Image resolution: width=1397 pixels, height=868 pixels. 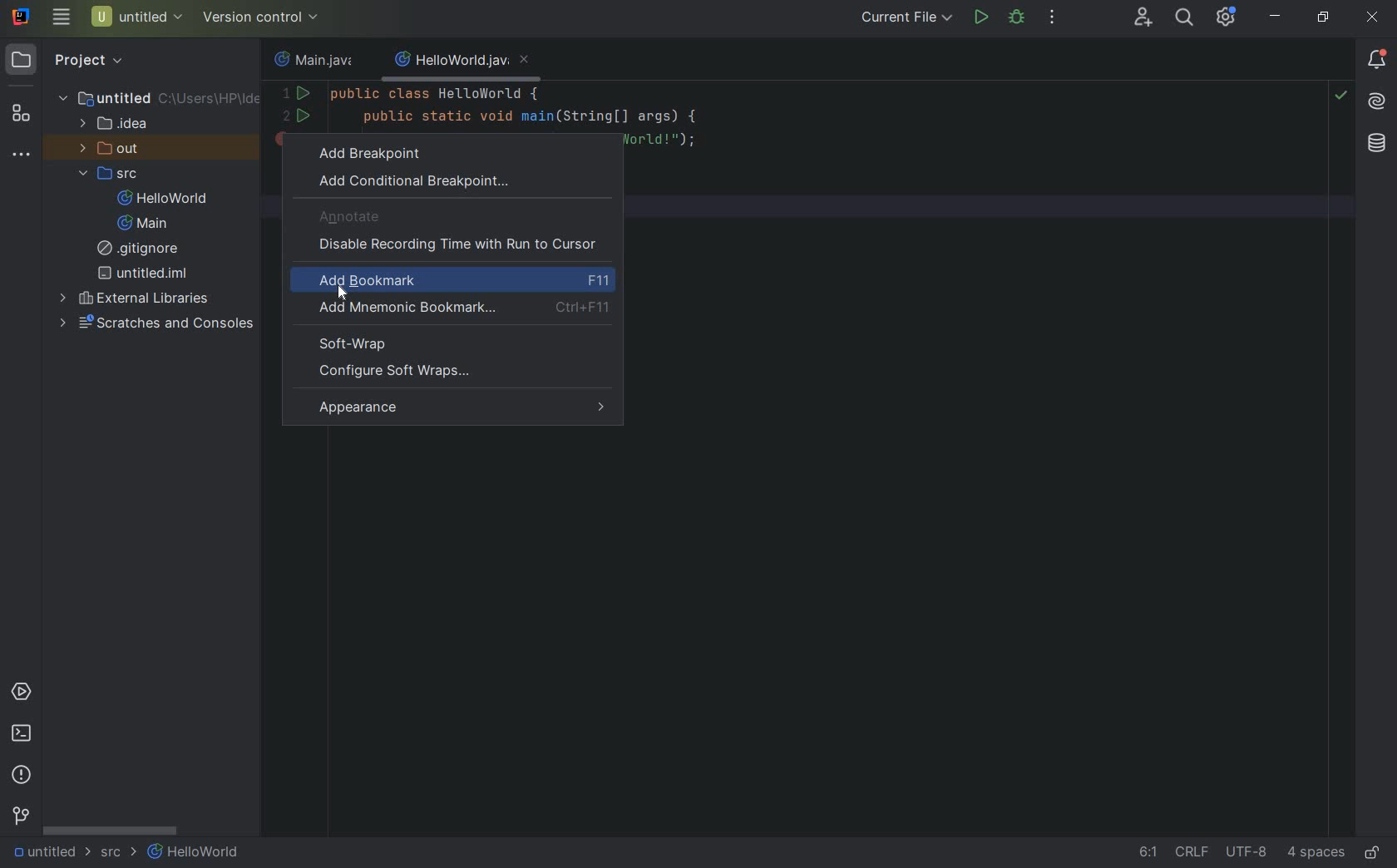 What do you see at coordinates (142, 250) in the screenshot?
I see `gitignore` at bounding box center [142, 250].